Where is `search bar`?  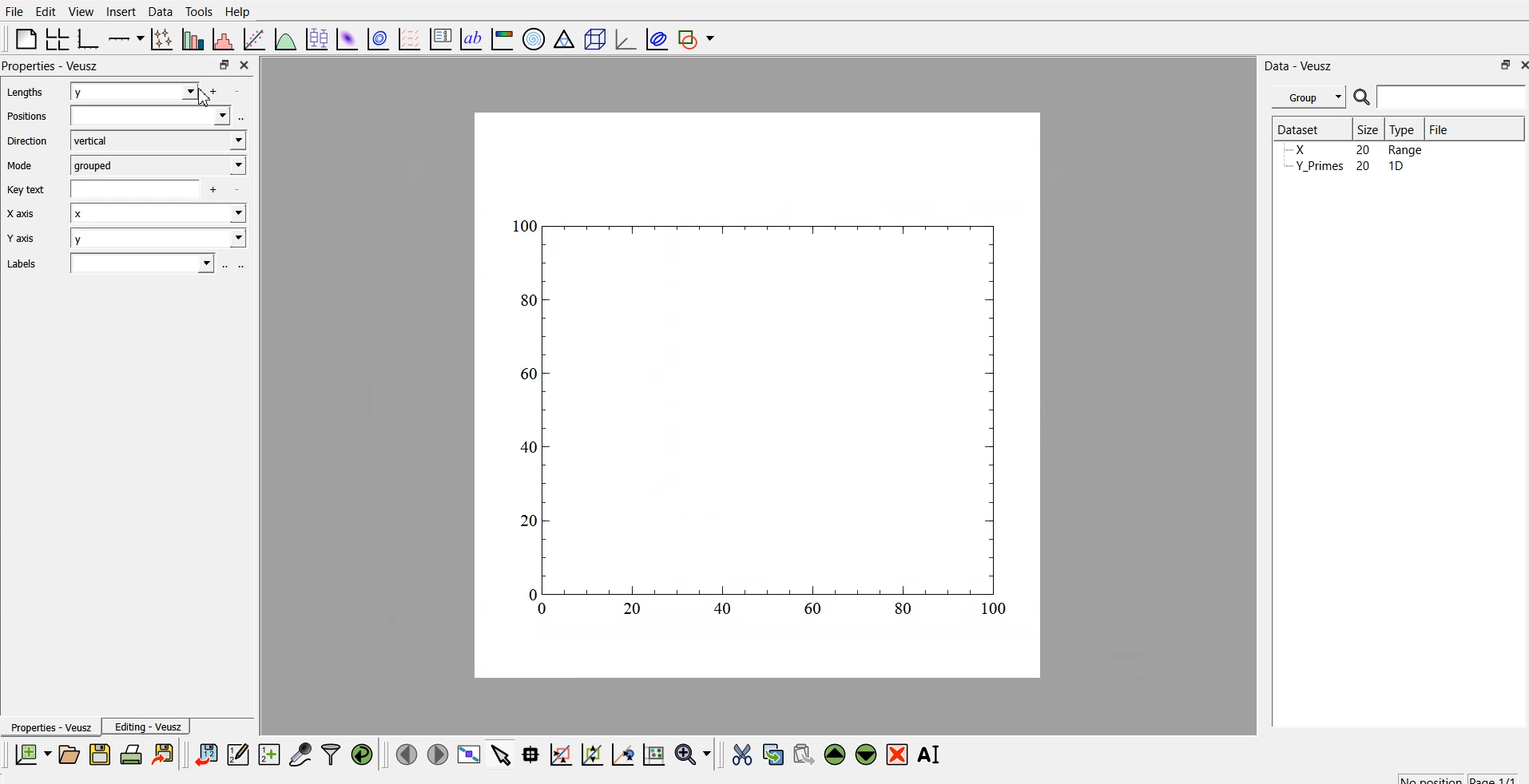
search bar is located at coordinates (1452, 97).